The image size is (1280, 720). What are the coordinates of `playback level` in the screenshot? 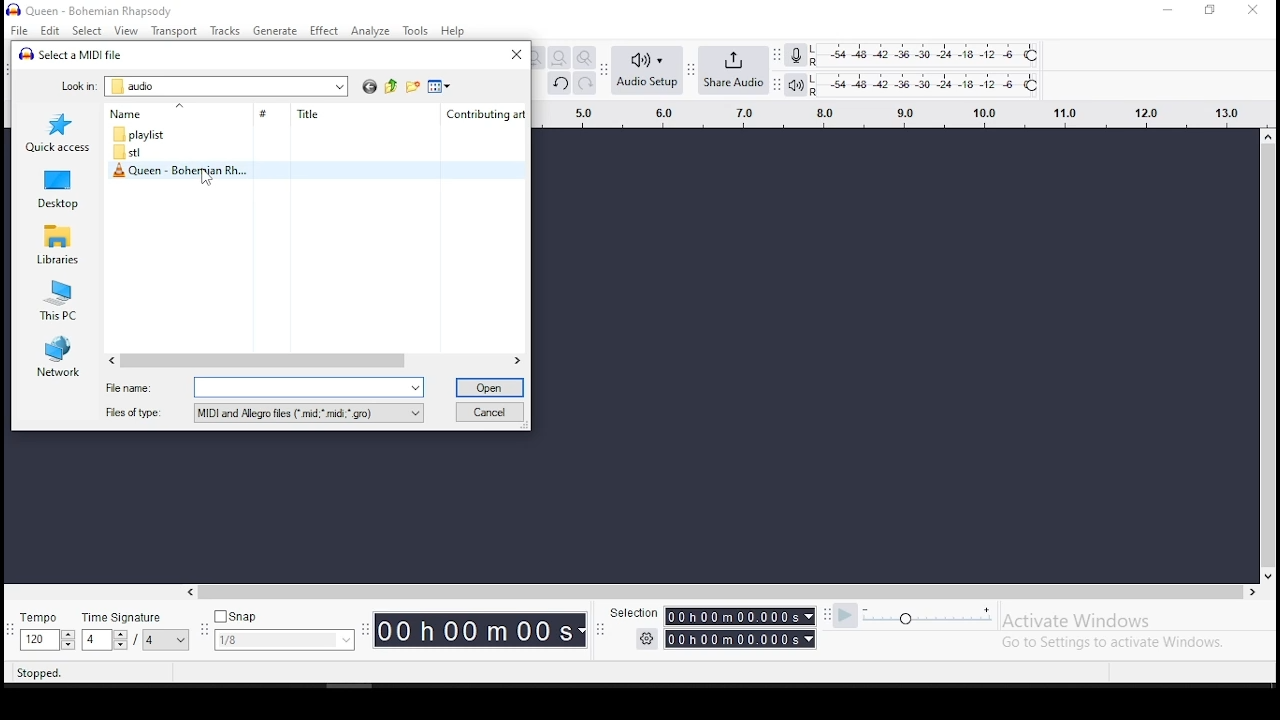 It's located at (927, 85).